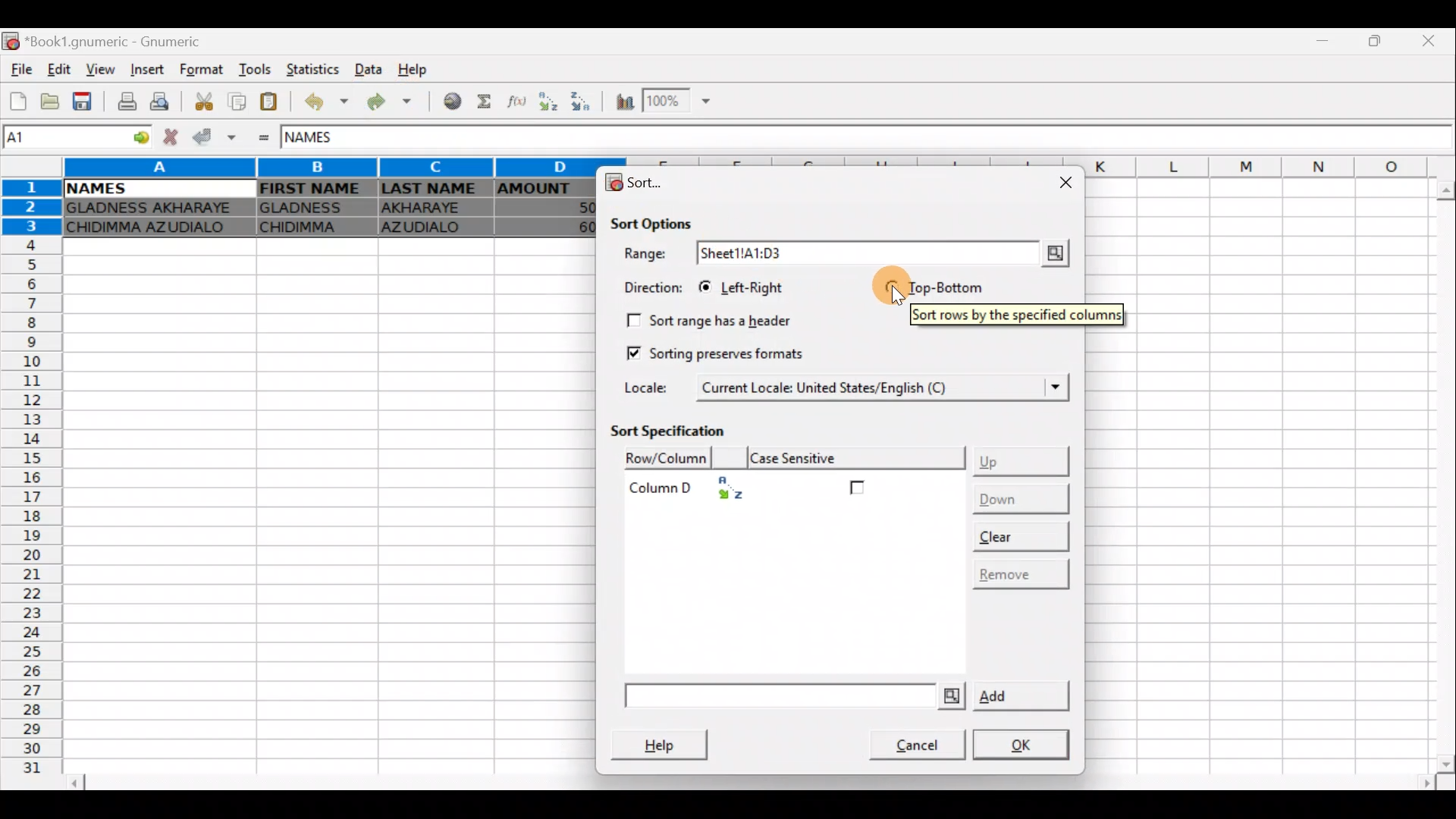 Image resolution: width=1456 pixels, height=819 pixels. I want to click on Maximize, so click(1379, 42).